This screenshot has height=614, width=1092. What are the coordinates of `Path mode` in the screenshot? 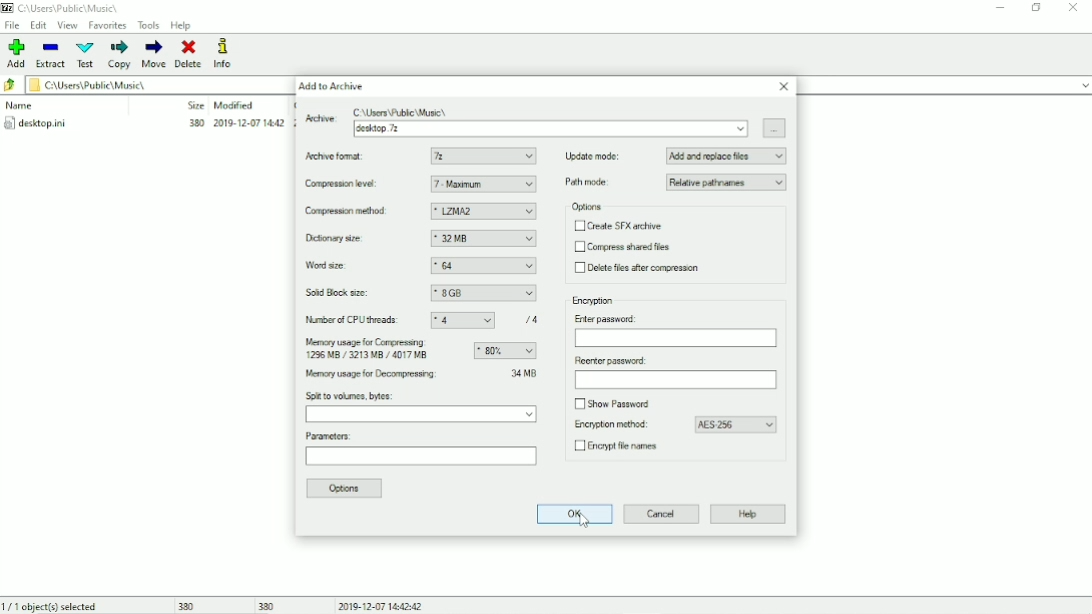 It's located at (590, 182).